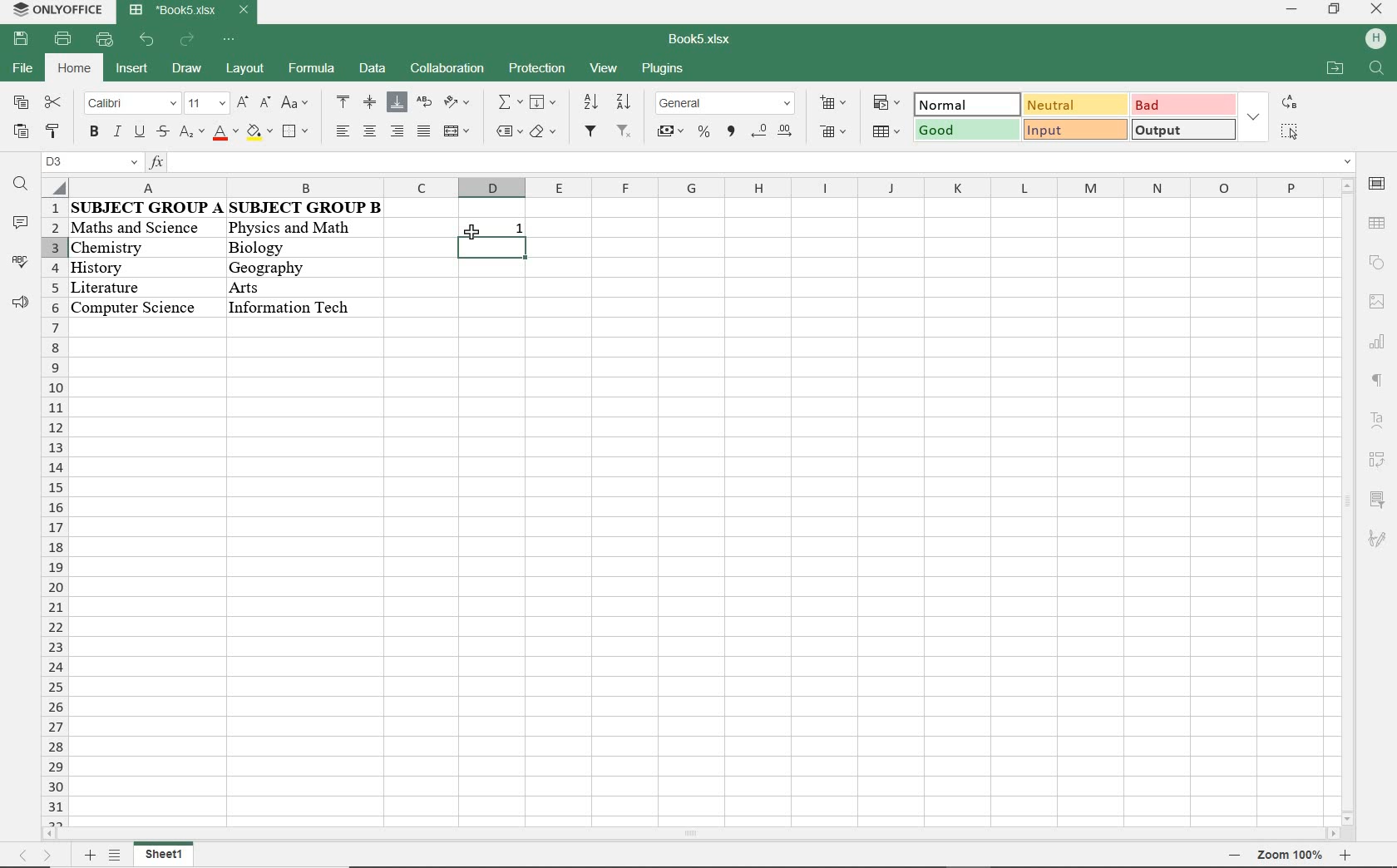  What do you see at coordinates (53, 101) in the screenshot?
I see `cut` at bounding box center [53, 101].